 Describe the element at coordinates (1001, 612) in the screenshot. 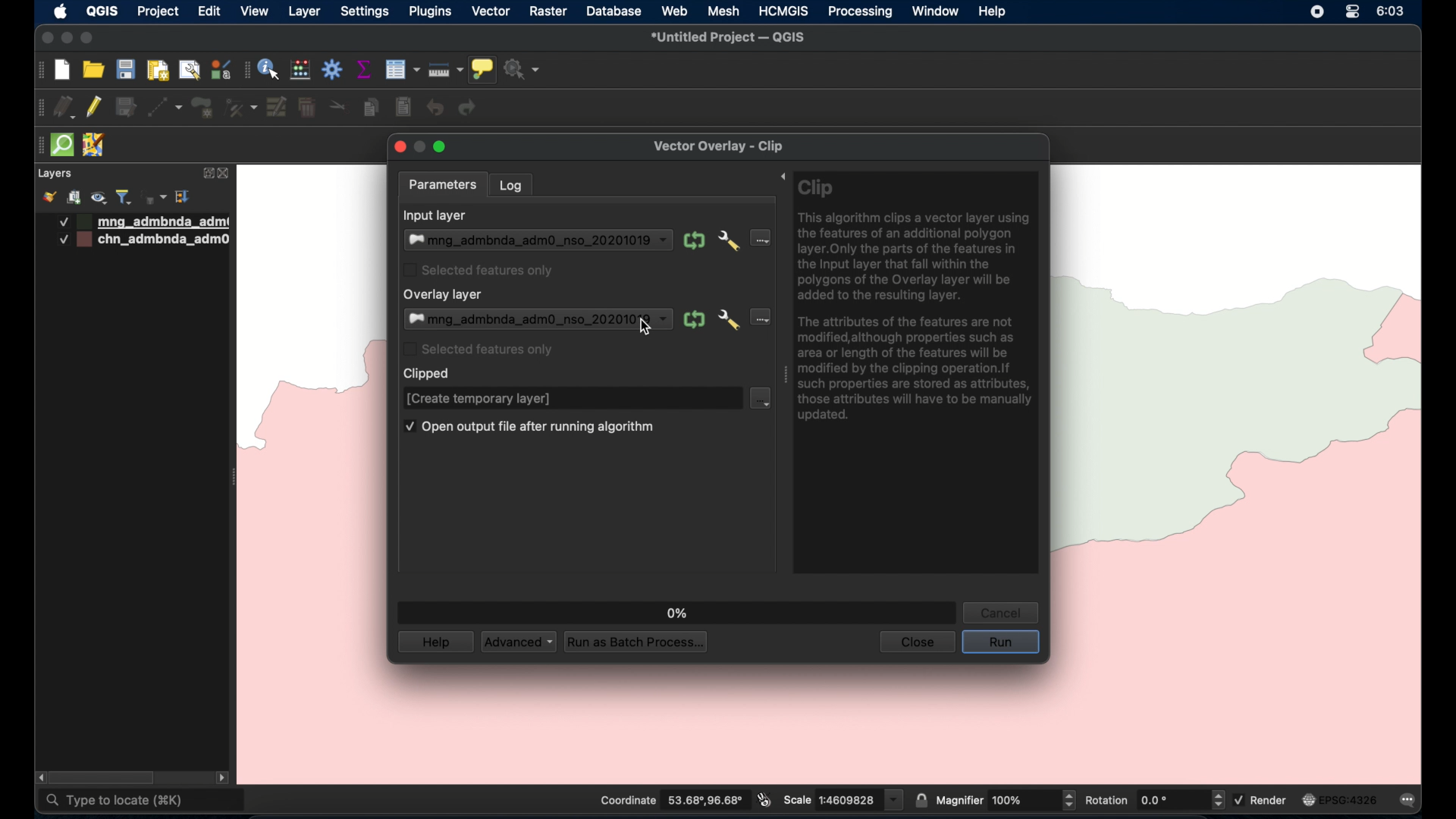

I see `cancel` at that location.